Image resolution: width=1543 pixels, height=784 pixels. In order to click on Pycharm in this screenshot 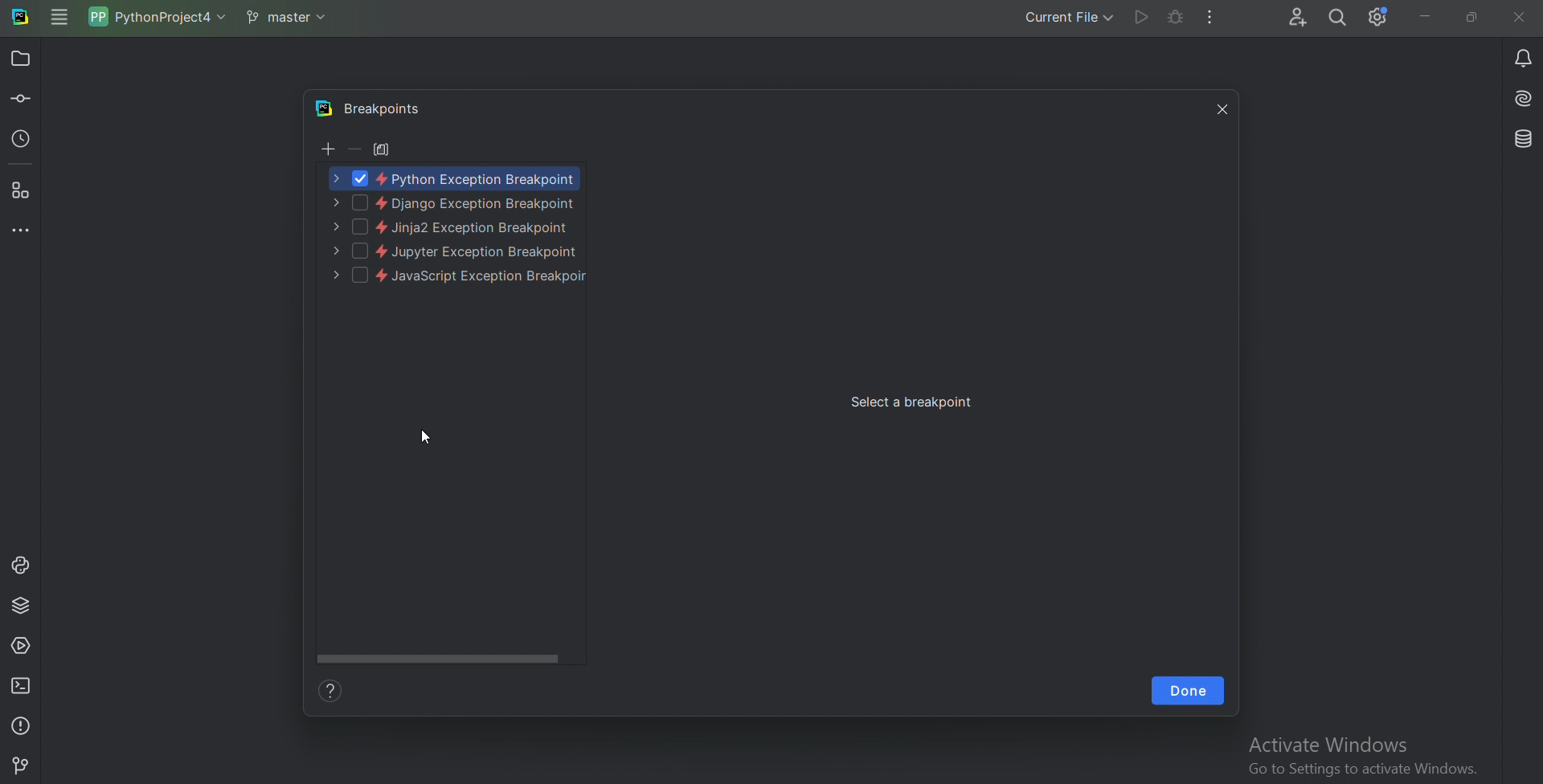, I will do `click(21, 18)`.